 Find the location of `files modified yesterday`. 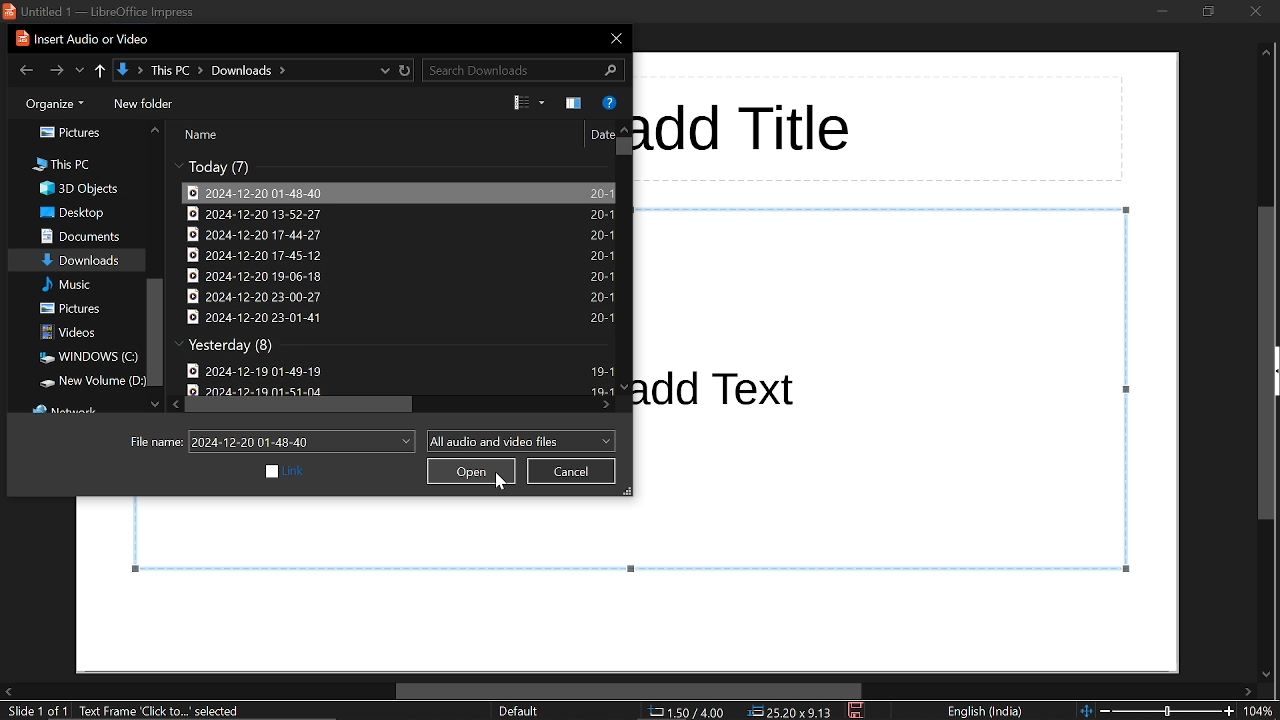

files modified yesterday is located at coordinates (230, 346).